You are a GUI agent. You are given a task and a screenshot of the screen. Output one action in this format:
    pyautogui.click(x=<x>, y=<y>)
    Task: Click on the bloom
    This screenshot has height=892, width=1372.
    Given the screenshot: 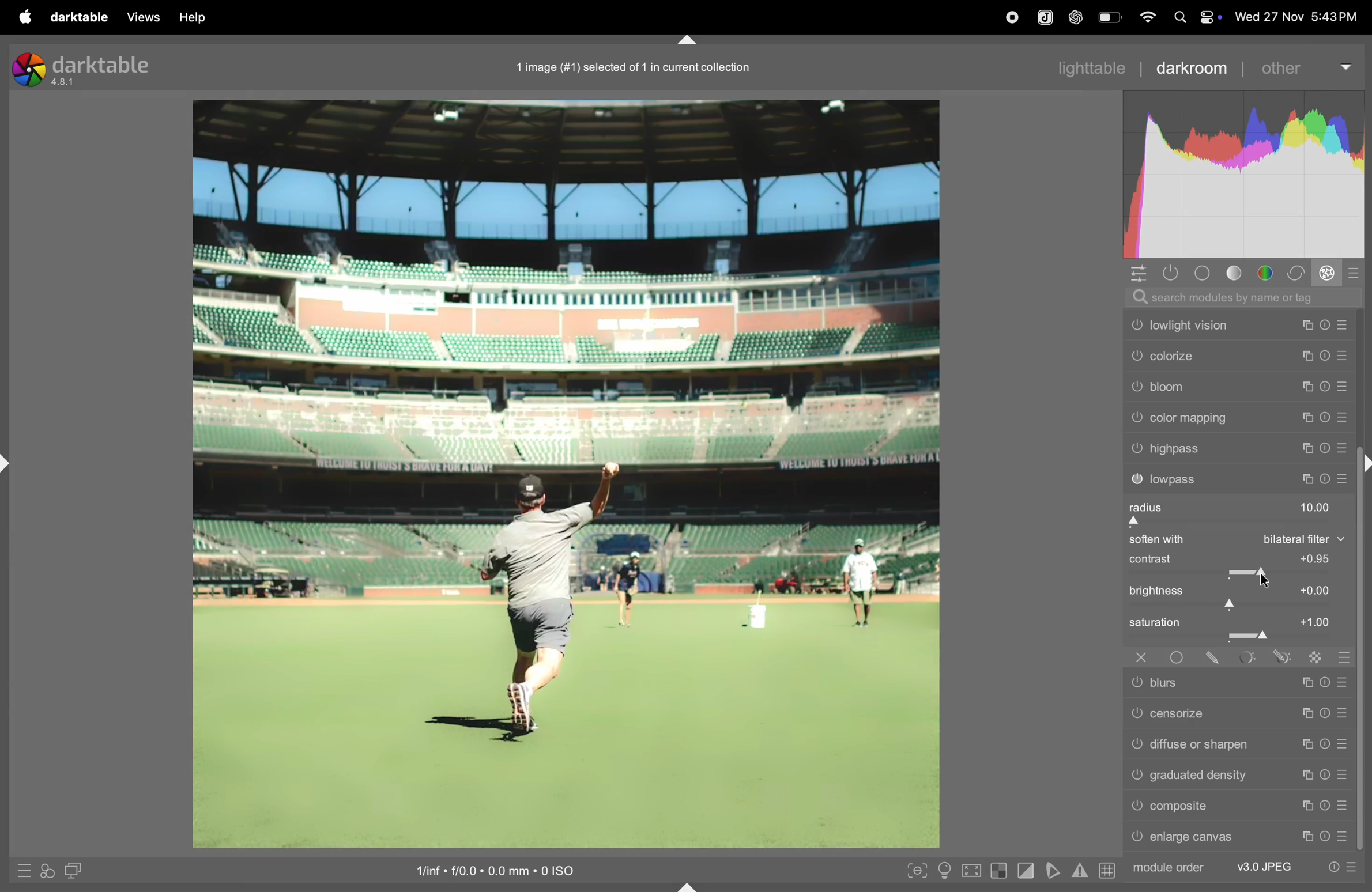 What is the action you would take?
    pyautogui.click(x=1237, y=390)
    